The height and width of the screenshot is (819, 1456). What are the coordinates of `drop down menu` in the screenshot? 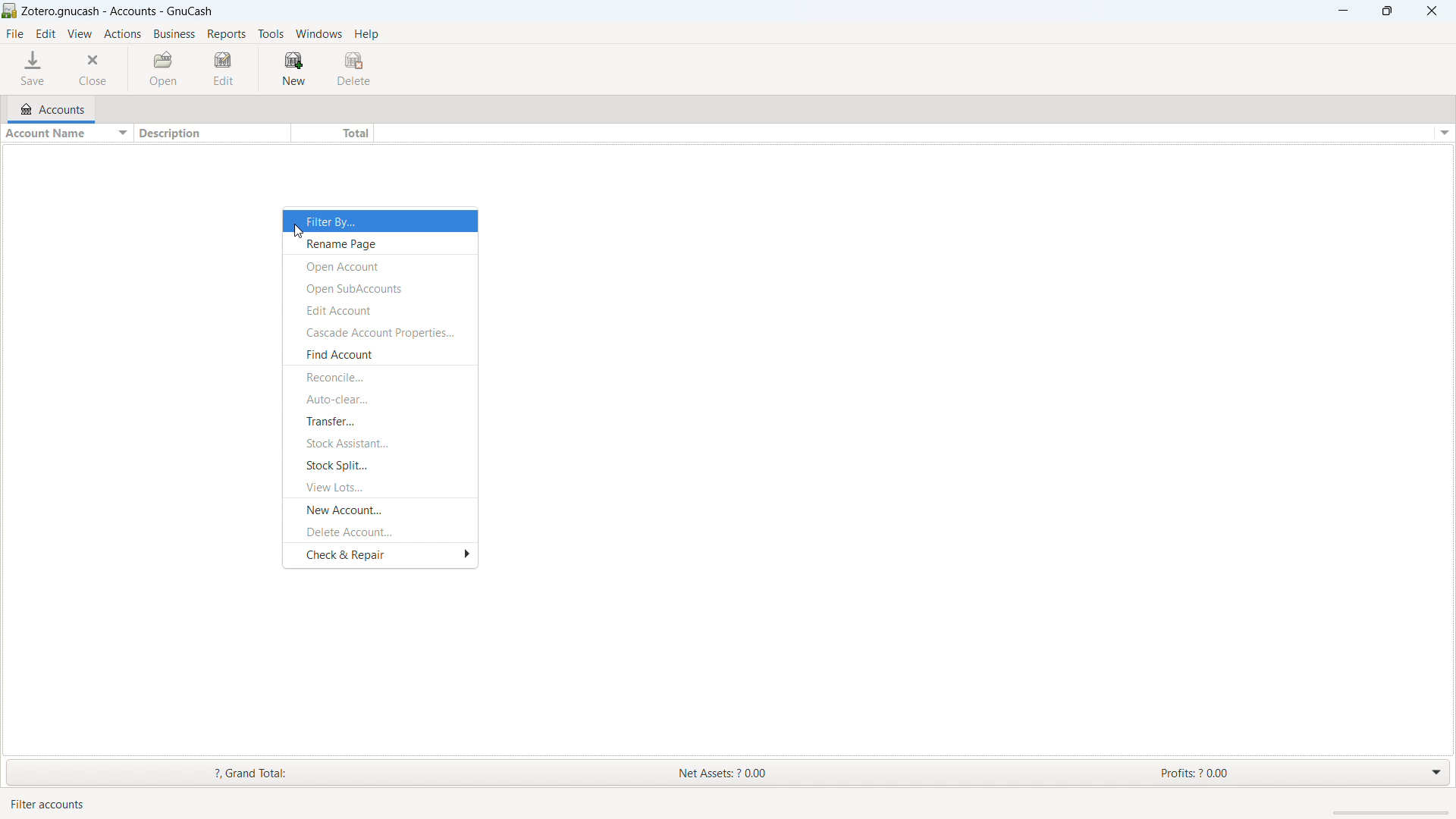 It's located at (1437, 770).